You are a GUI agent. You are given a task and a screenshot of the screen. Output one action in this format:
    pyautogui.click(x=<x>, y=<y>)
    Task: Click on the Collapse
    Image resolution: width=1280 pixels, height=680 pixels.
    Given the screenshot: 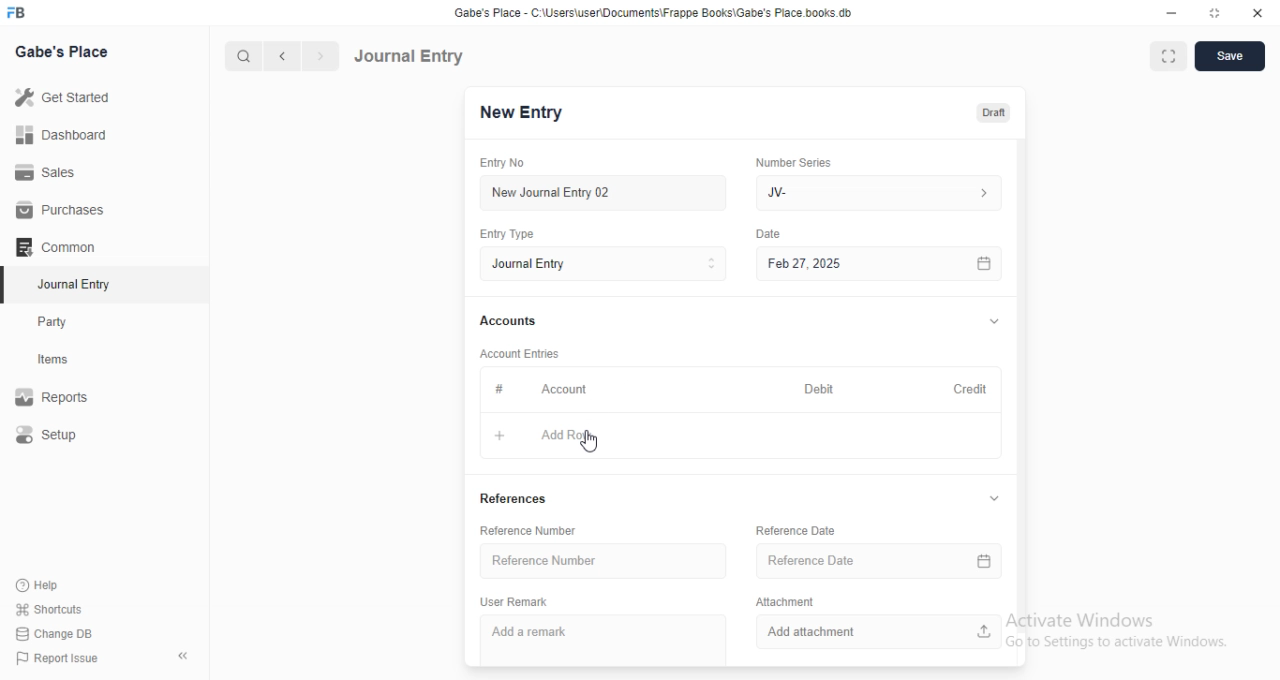 What is the action you would take?
    pyautogui.click(x=184, y=656)
    